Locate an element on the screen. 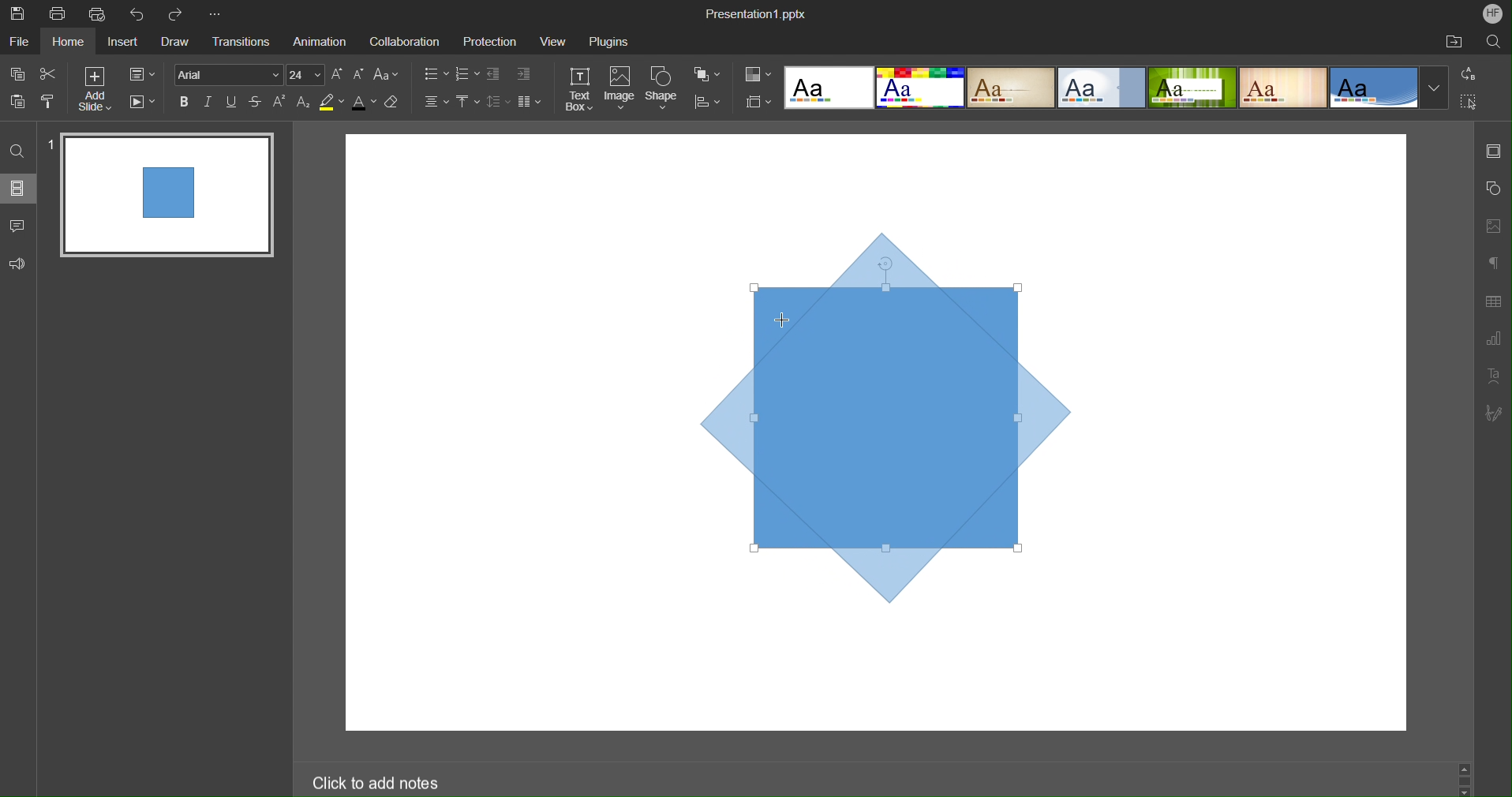 This screenshot has height=797, width=1512. Draw is located at coordinates (174, 39).